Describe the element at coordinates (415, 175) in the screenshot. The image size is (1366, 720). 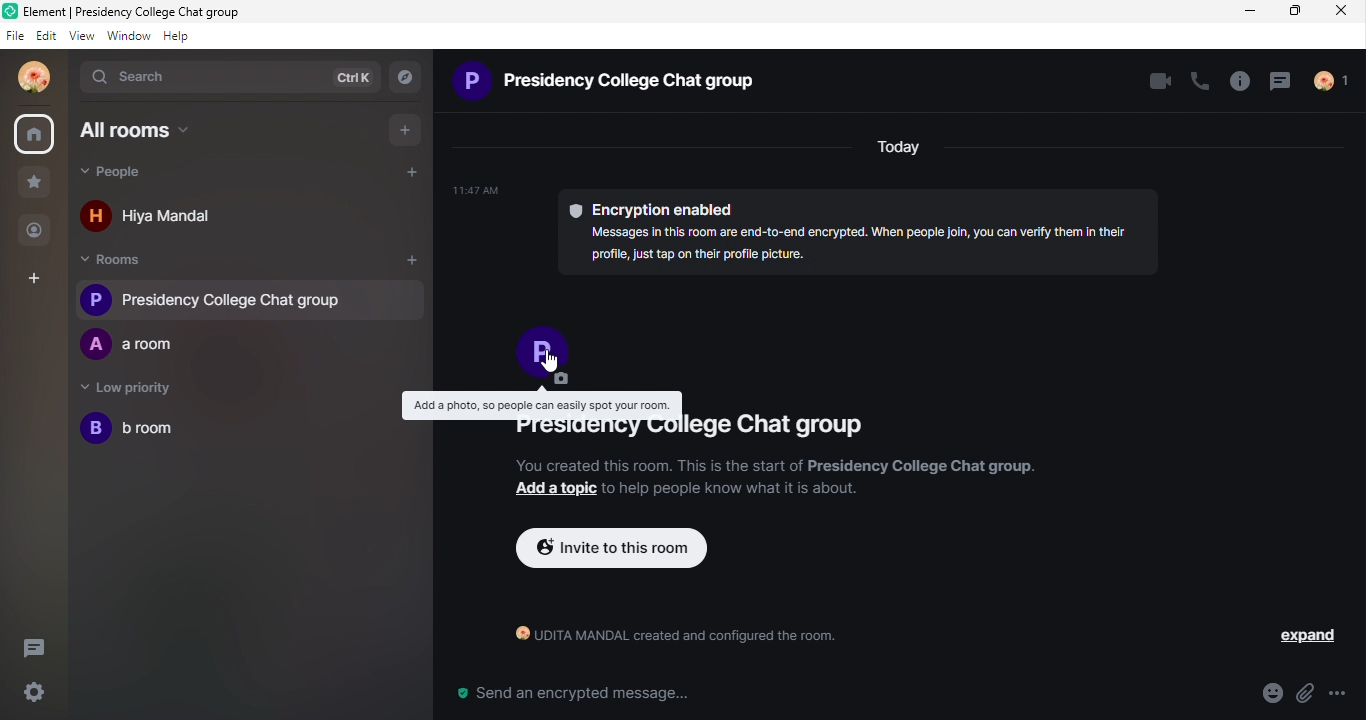
I see `start chat` at that location.